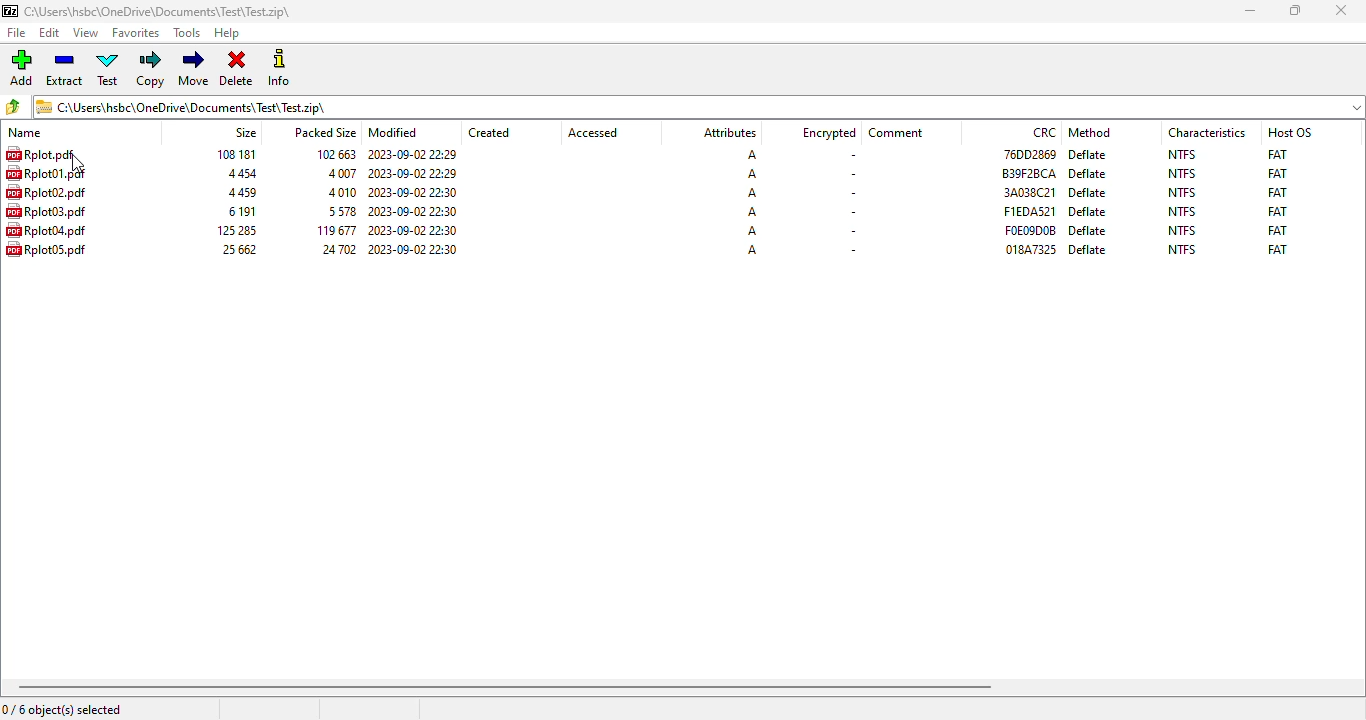 This screenshot has height=720, width=1366. I want to click on A, so click(752, 174).